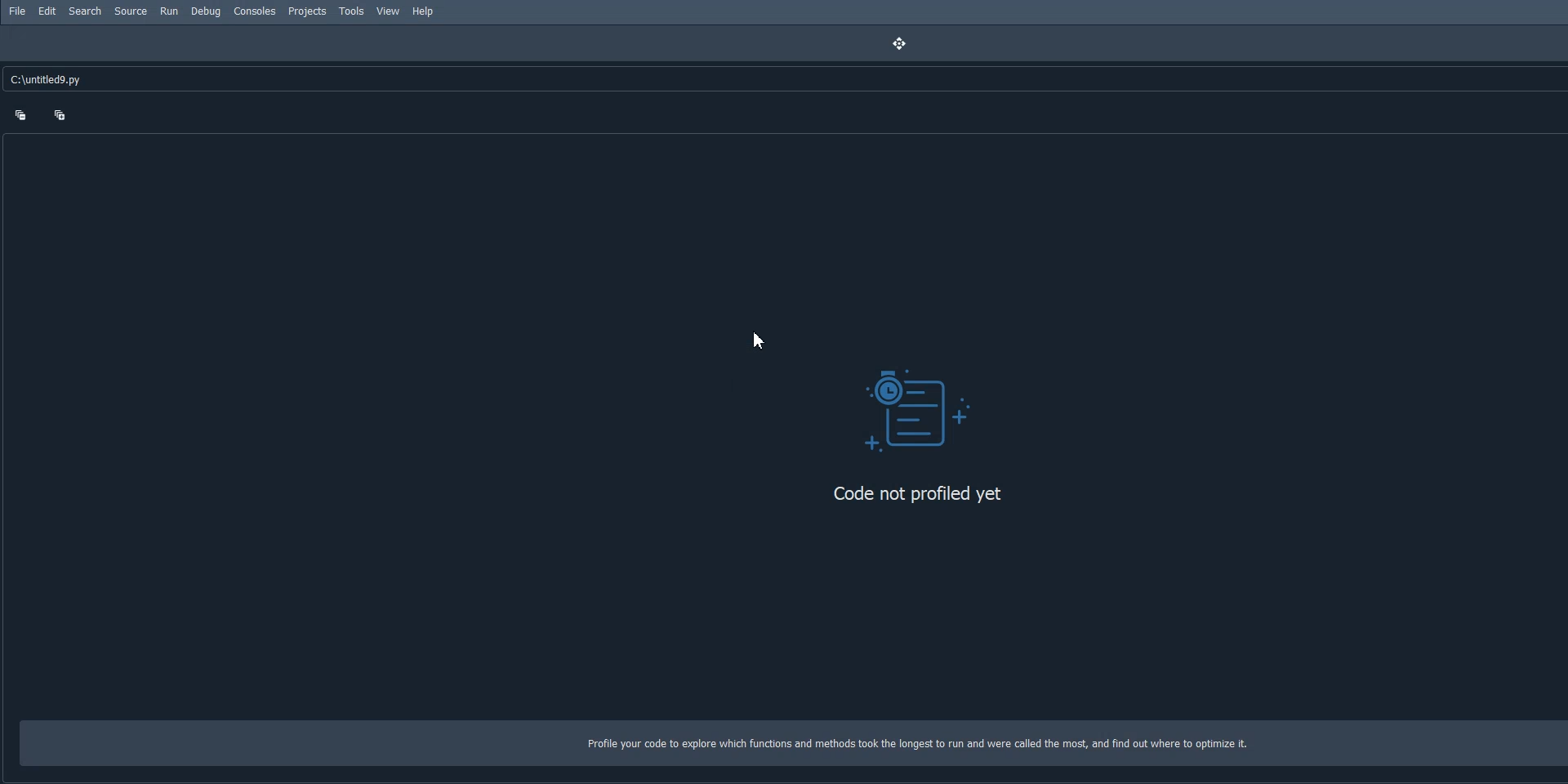 The height and width of the screenshot is (784, 1568). Describe the element at coordinates (422, 12) in the screenshot. I see `Help` at that location.